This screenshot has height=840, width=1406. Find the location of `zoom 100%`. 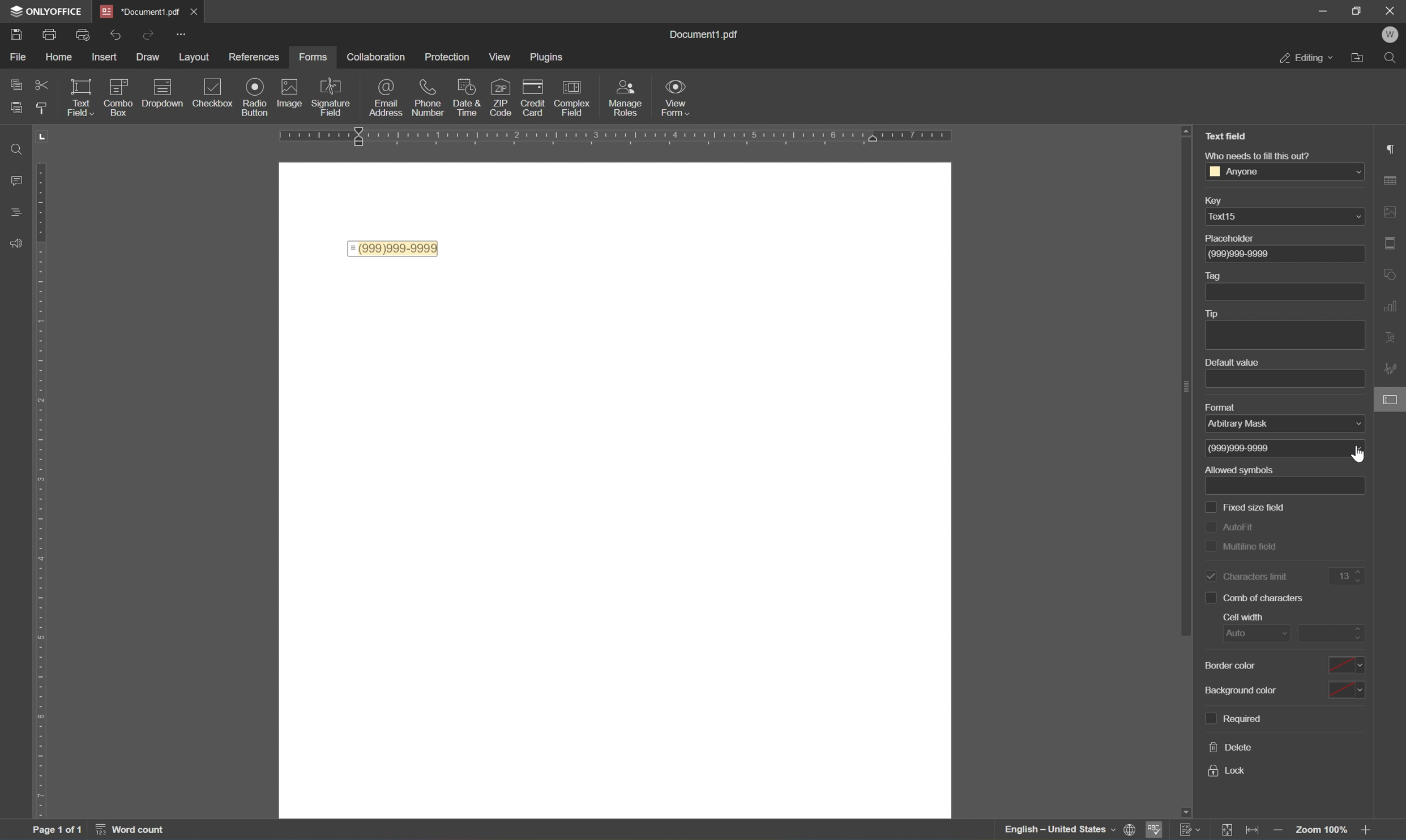

zoom 100% is located at coordinates (1323, 832).